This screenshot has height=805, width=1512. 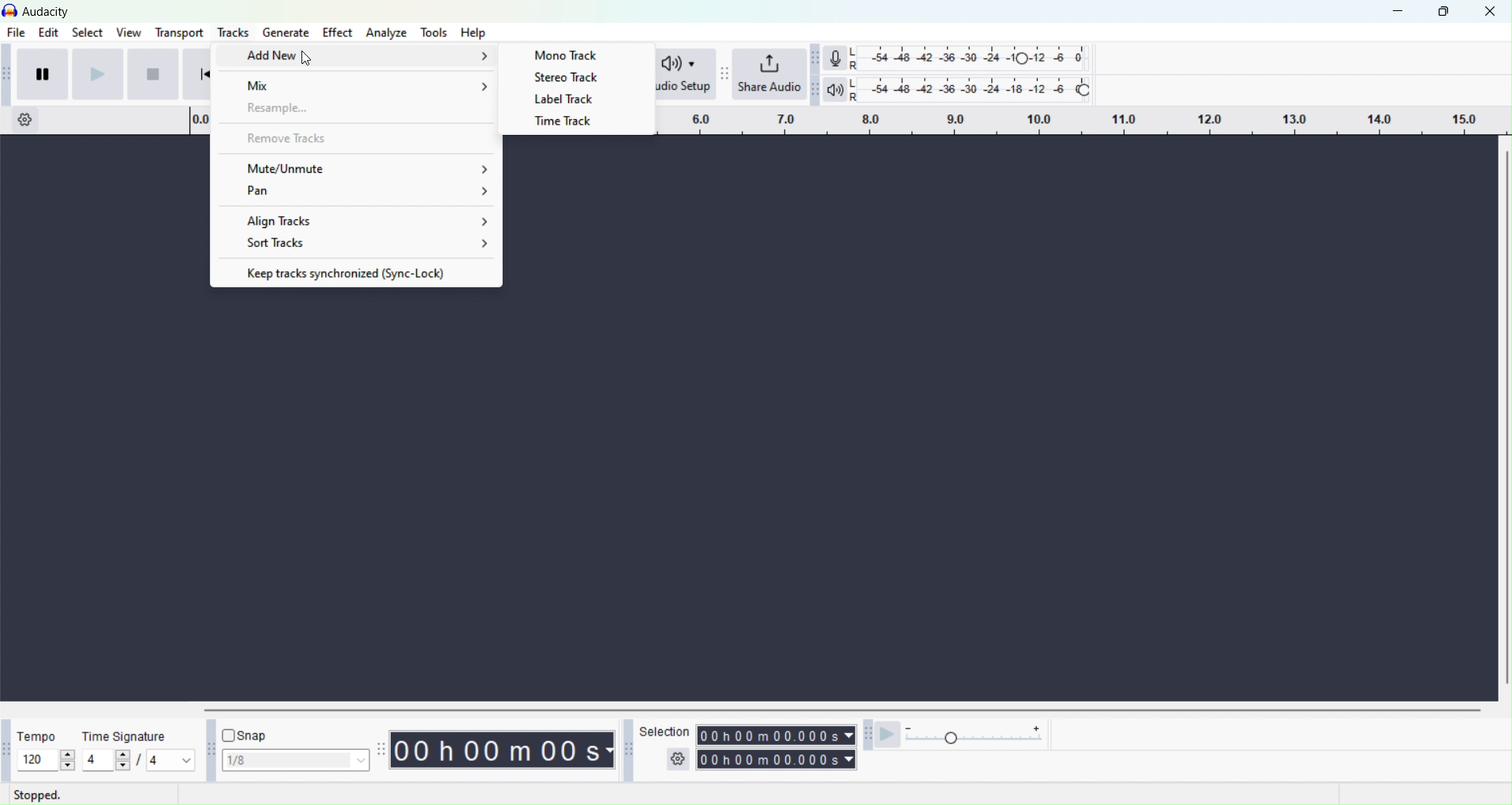 I want to click on Audacity recording meter toolbar, so click(x=816, y=57).